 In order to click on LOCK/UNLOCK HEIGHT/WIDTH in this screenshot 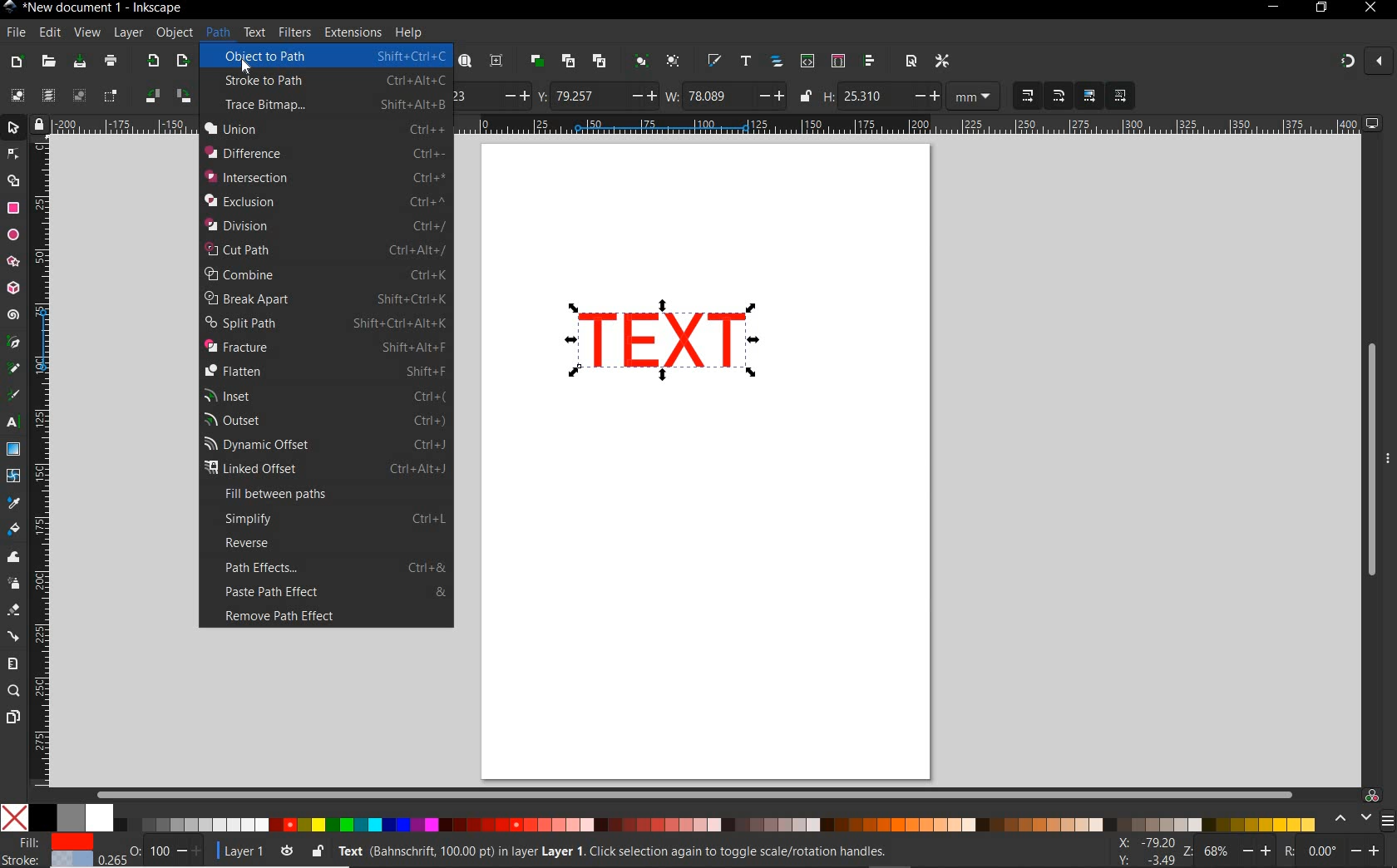, I will do `click(807, 96)`.